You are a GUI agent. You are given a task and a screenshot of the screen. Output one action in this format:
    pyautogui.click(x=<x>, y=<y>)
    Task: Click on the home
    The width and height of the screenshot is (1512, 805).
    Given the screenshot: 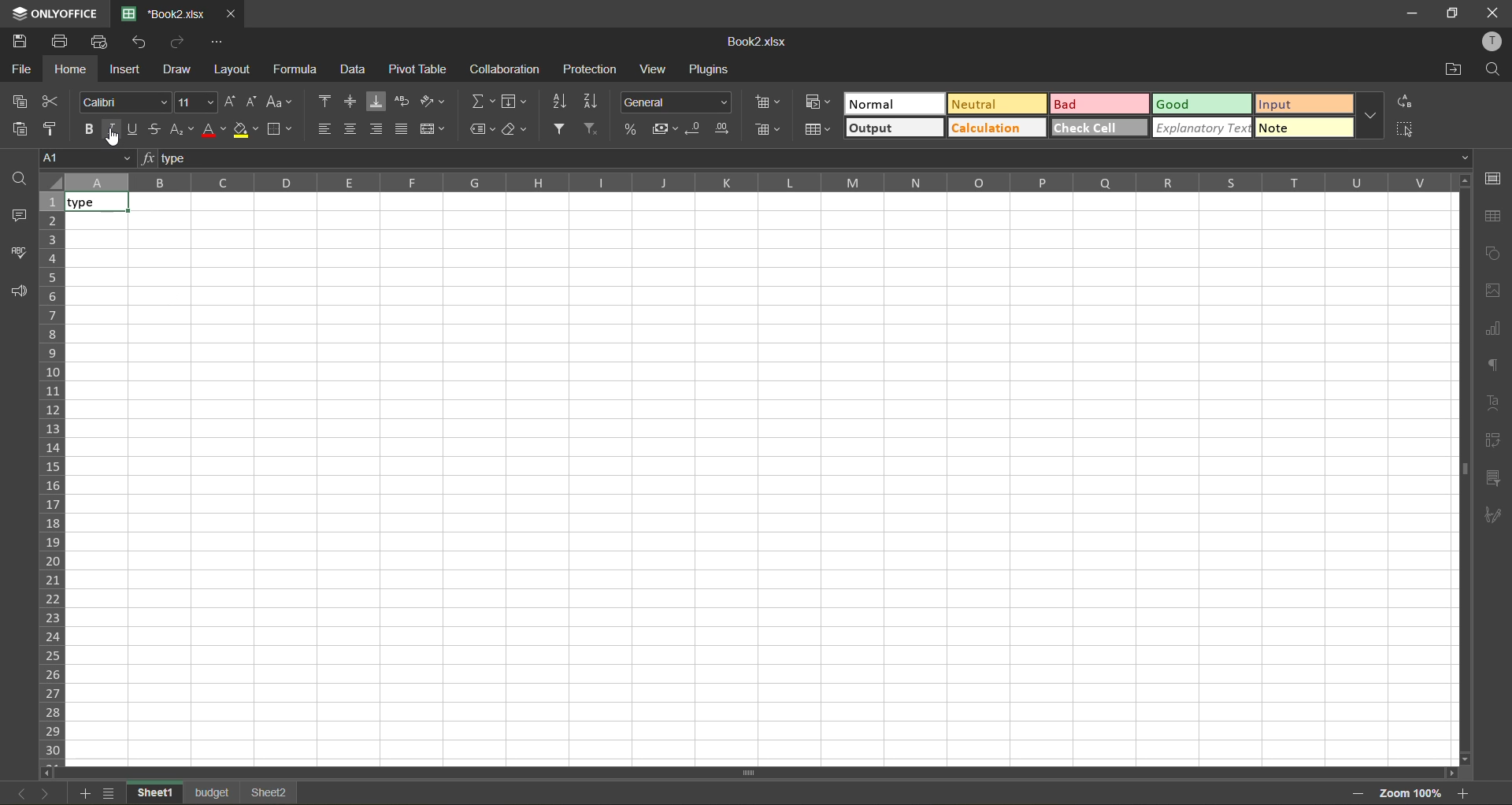 What is the action you would take?
    pyautogui.click(x=71, y=69)
    